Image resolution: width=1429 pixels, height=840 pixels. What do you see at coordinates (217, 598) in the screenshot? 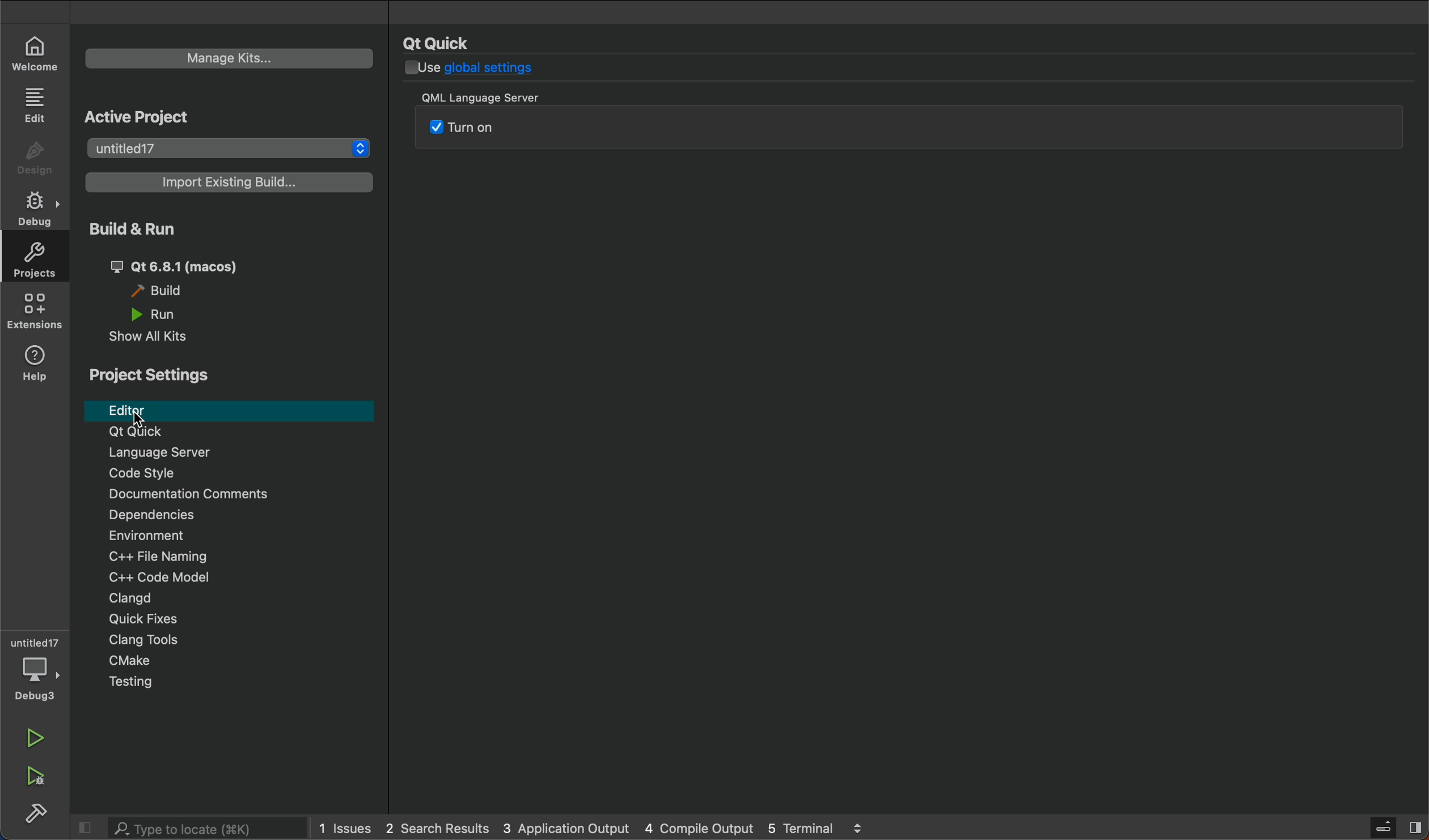
I see `Clangd` at bounding box center [217, 598].